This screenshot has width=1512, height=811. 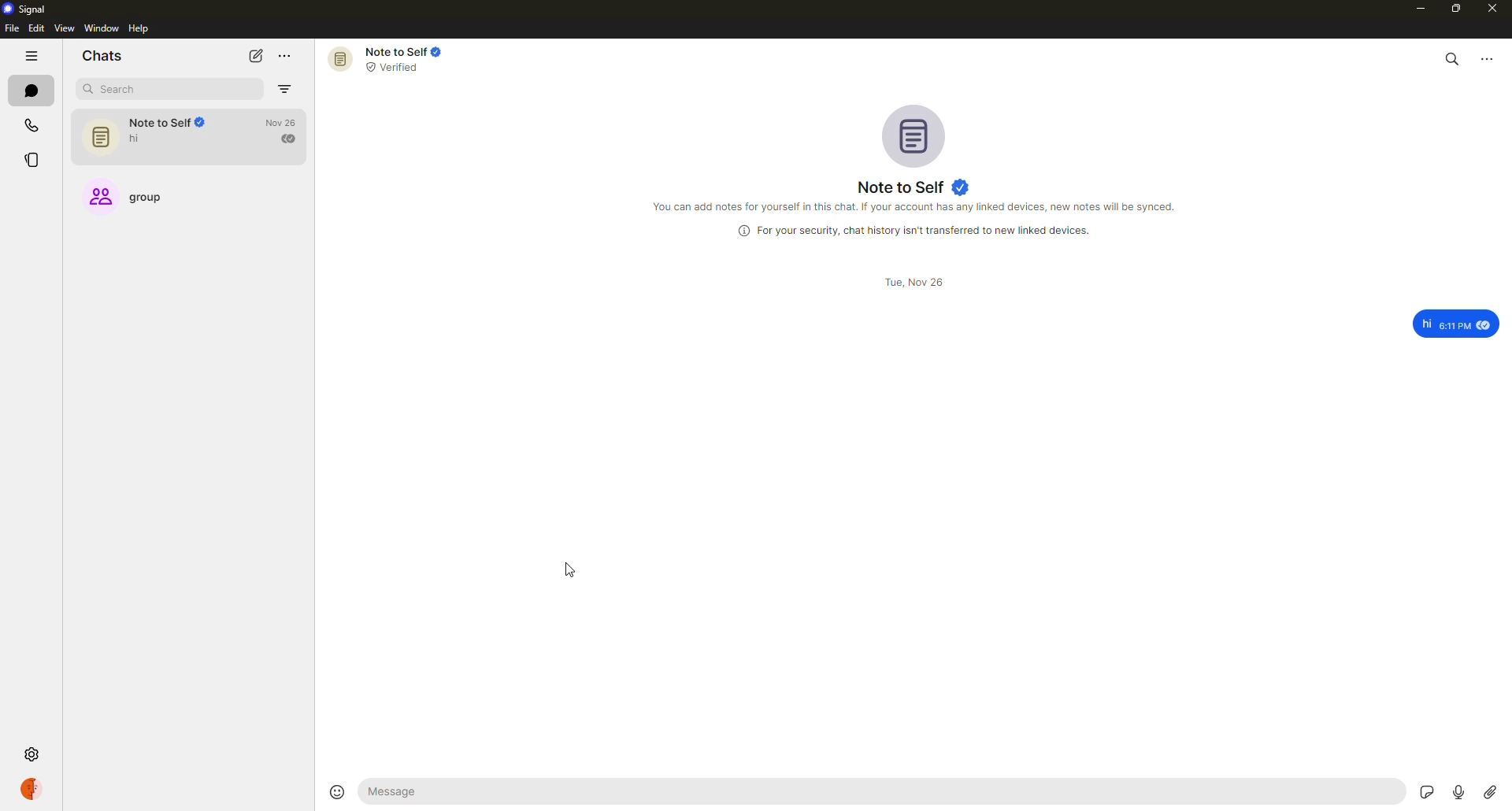 I want to click on info, so click(x=918, y=231).